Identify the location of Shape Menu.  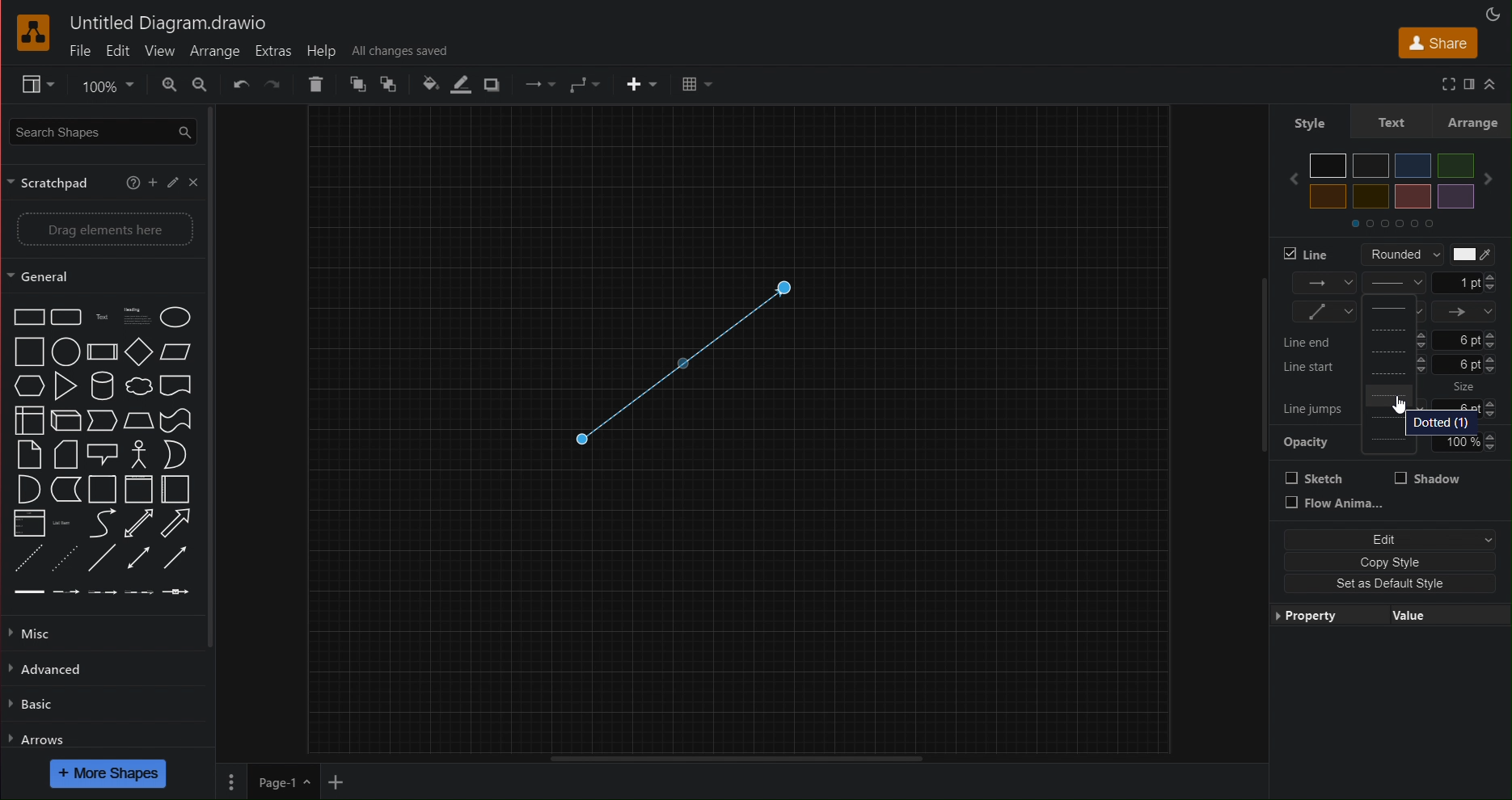
(101, 453).